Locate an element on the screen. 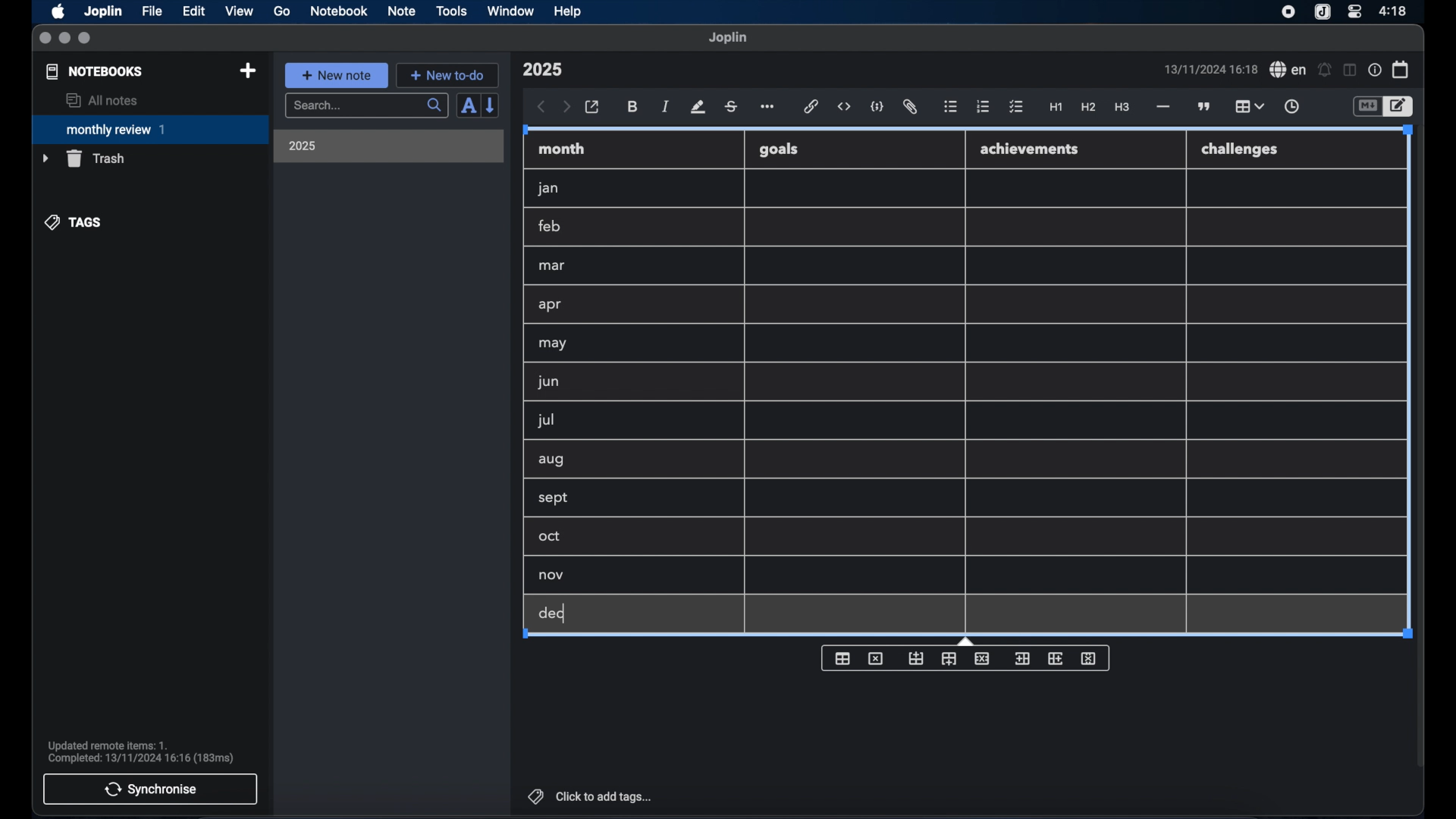 This screenshot has height=819, width=1456. reverse sort order is located at coordinates (491, 105).